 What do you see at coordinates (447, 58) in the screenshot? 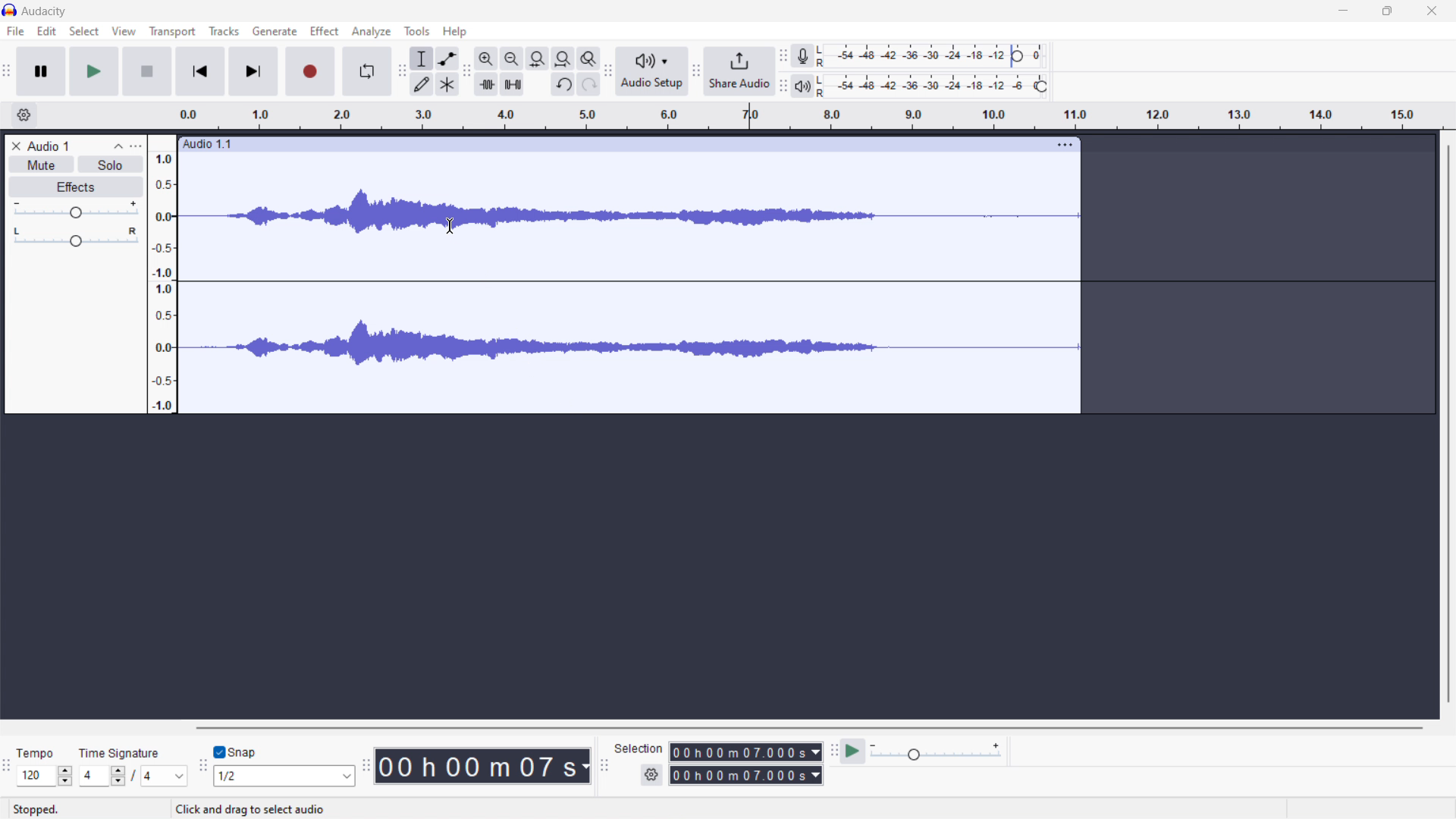
I see `envelop tool` at bounding box center [447, 58].